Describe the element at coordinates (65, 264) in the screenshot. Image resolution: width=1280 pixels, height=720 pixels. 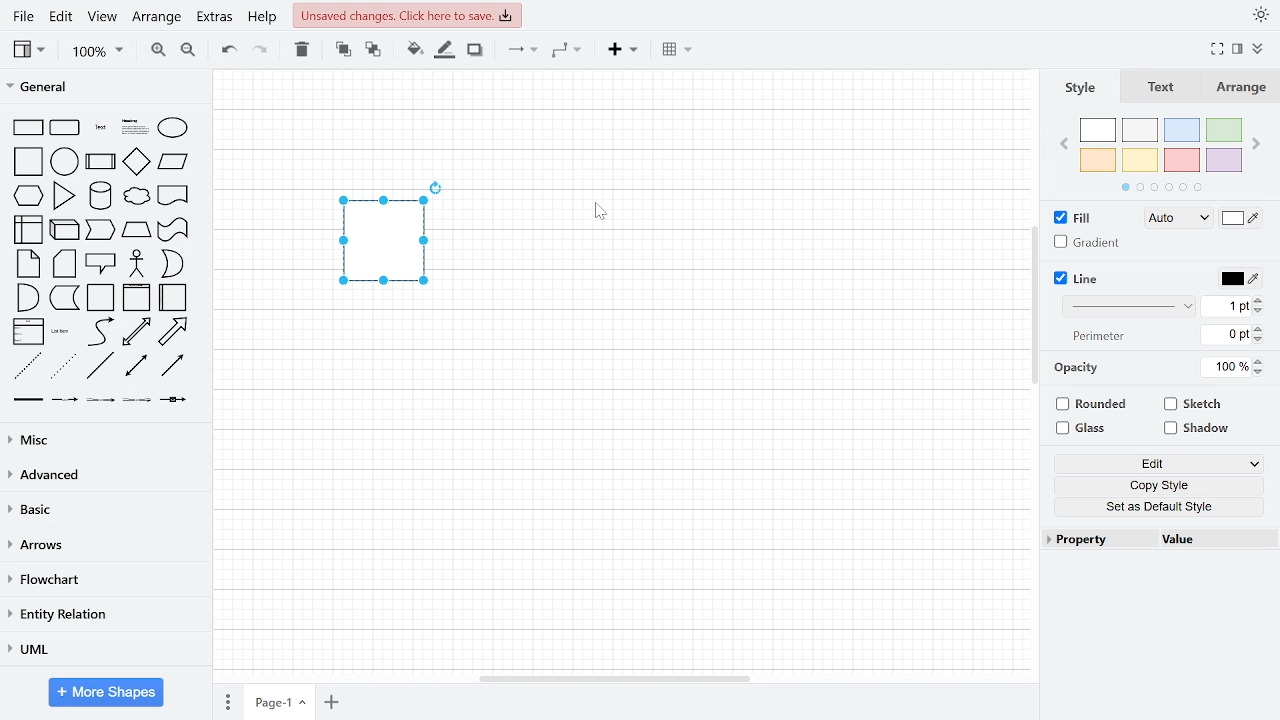
I see `card` at that location.